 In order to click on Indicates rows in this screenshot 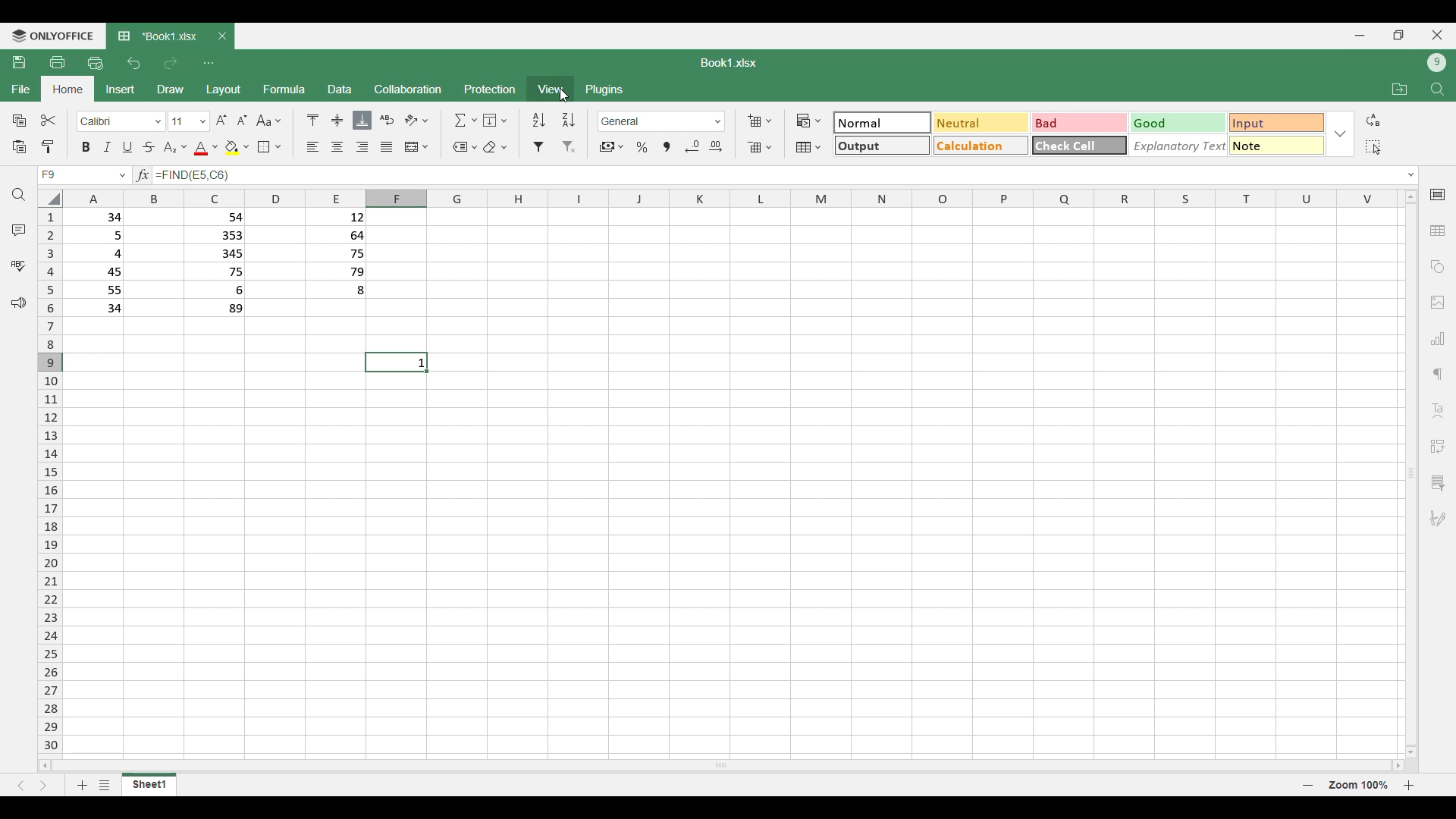, I will do `click(52, 482)`.